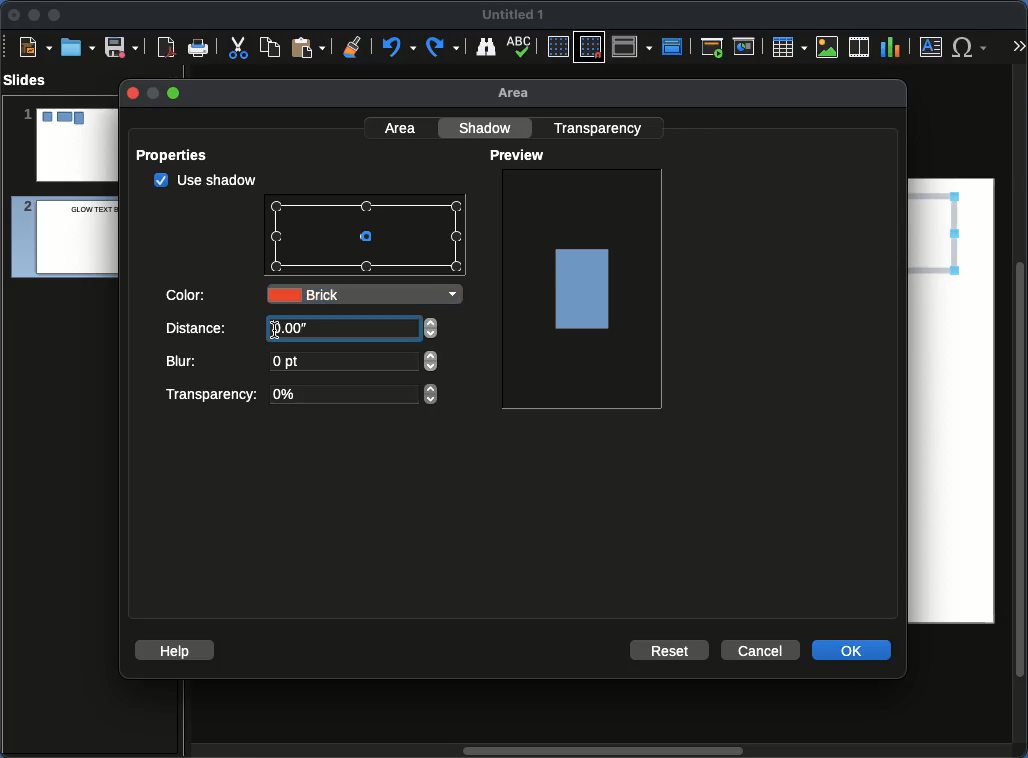  I want to click on Area, so click(519, 94).